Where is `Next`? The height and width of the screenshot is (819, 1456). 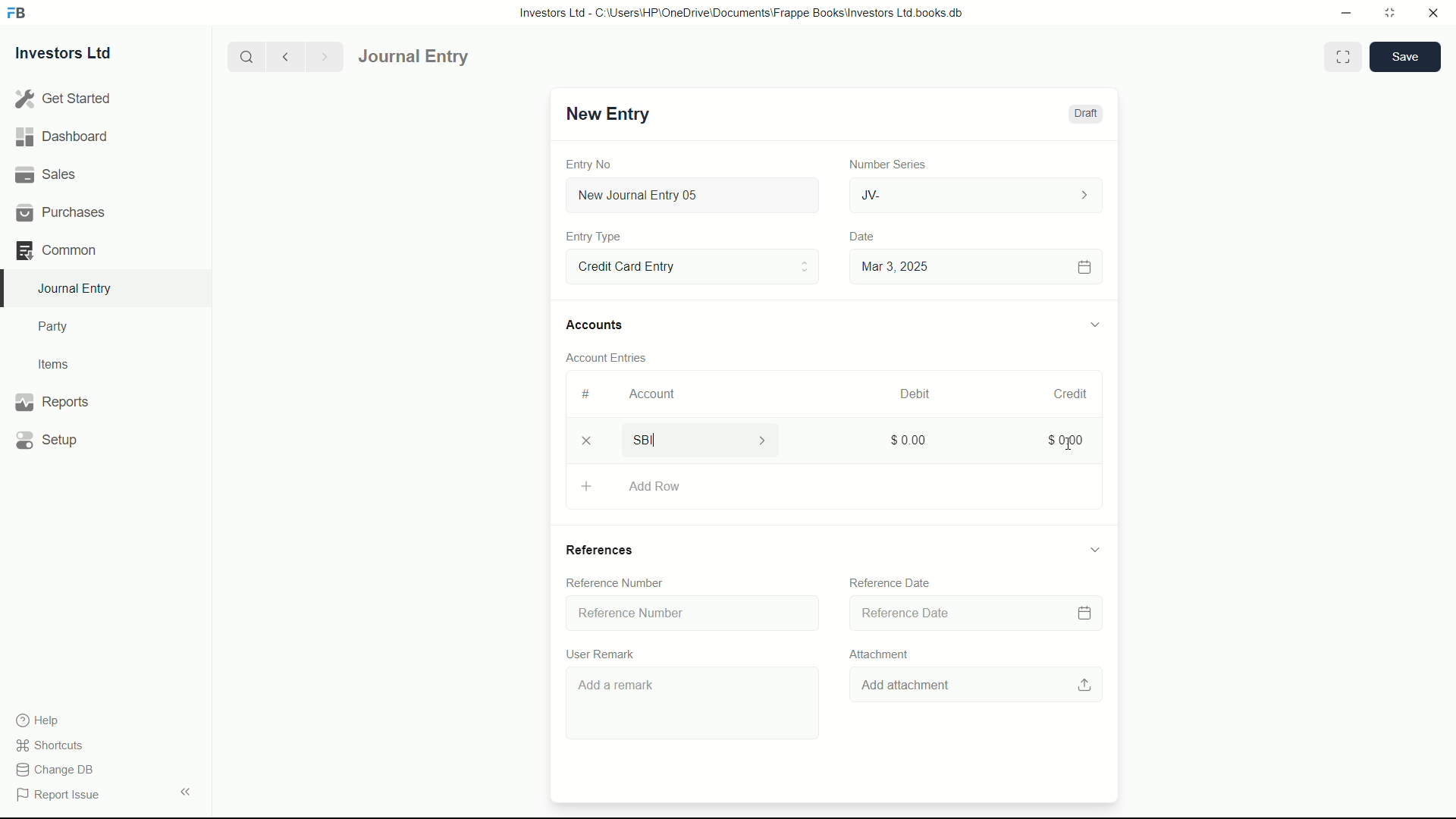 Next is located at coordinates (322, 56).